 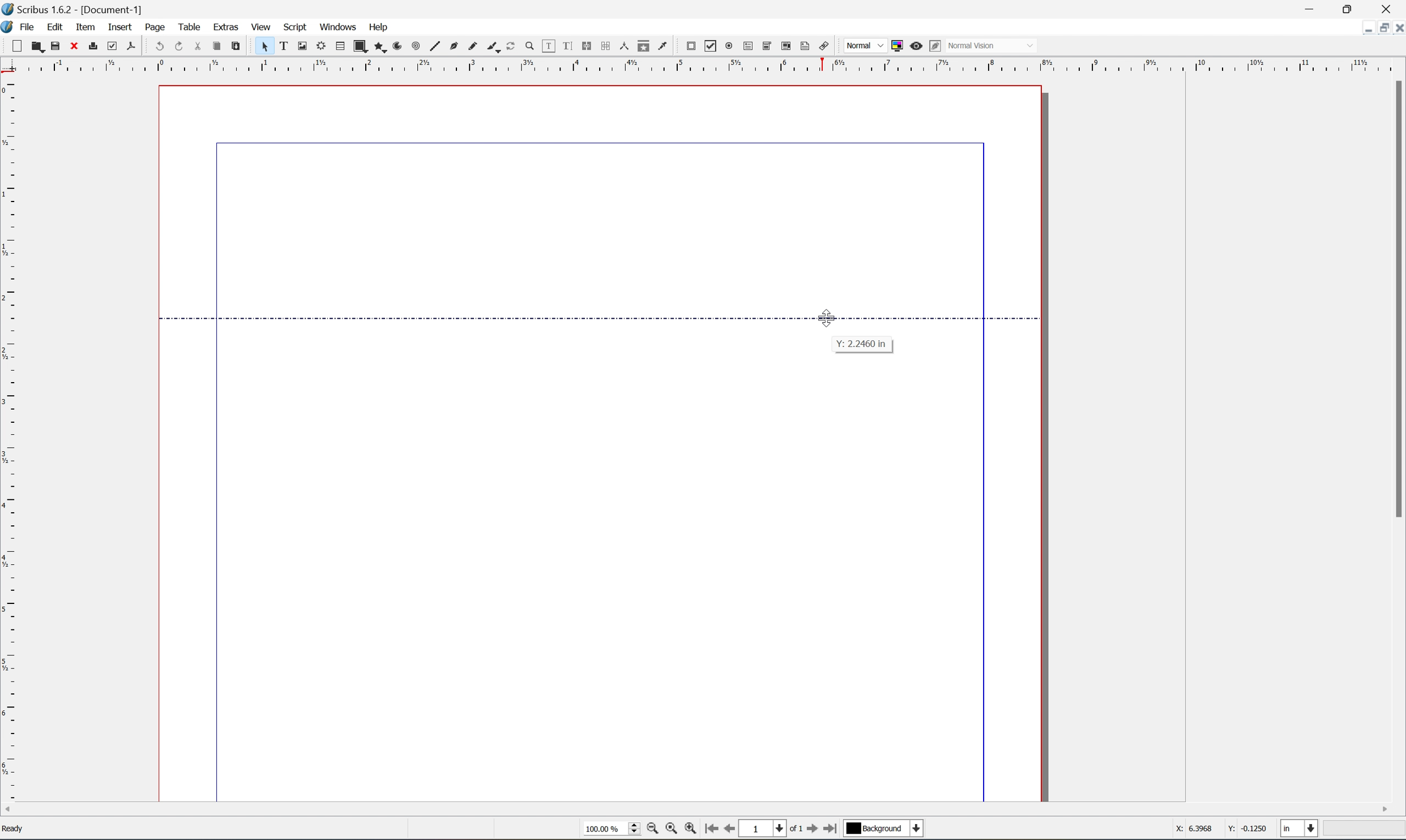 I want to click on Ready, so click(x=16, y=831).